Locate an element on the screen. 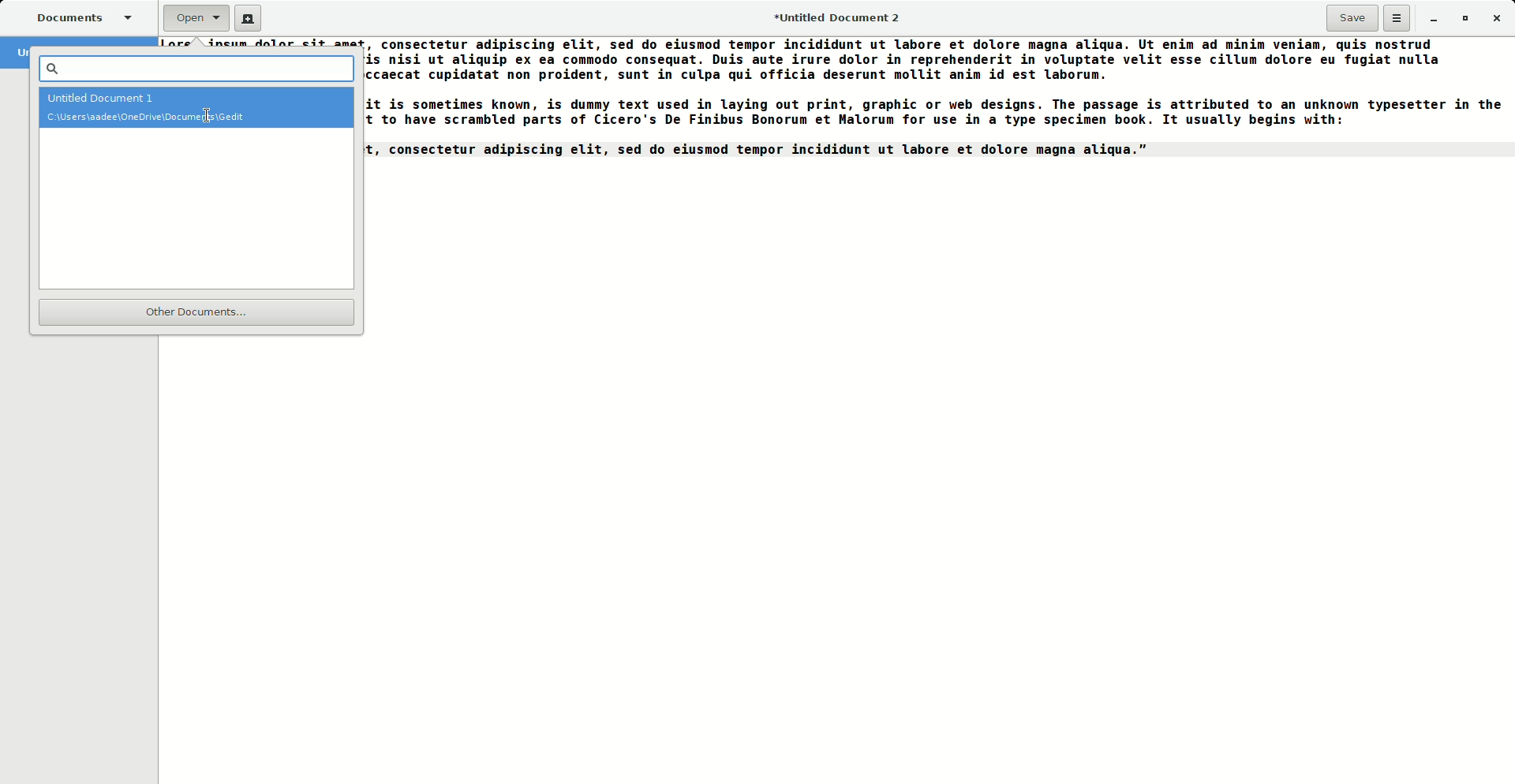 Image resolution: width=1515 pixels, height=784 pixels. Cursor is located at coordinates (208, 118).